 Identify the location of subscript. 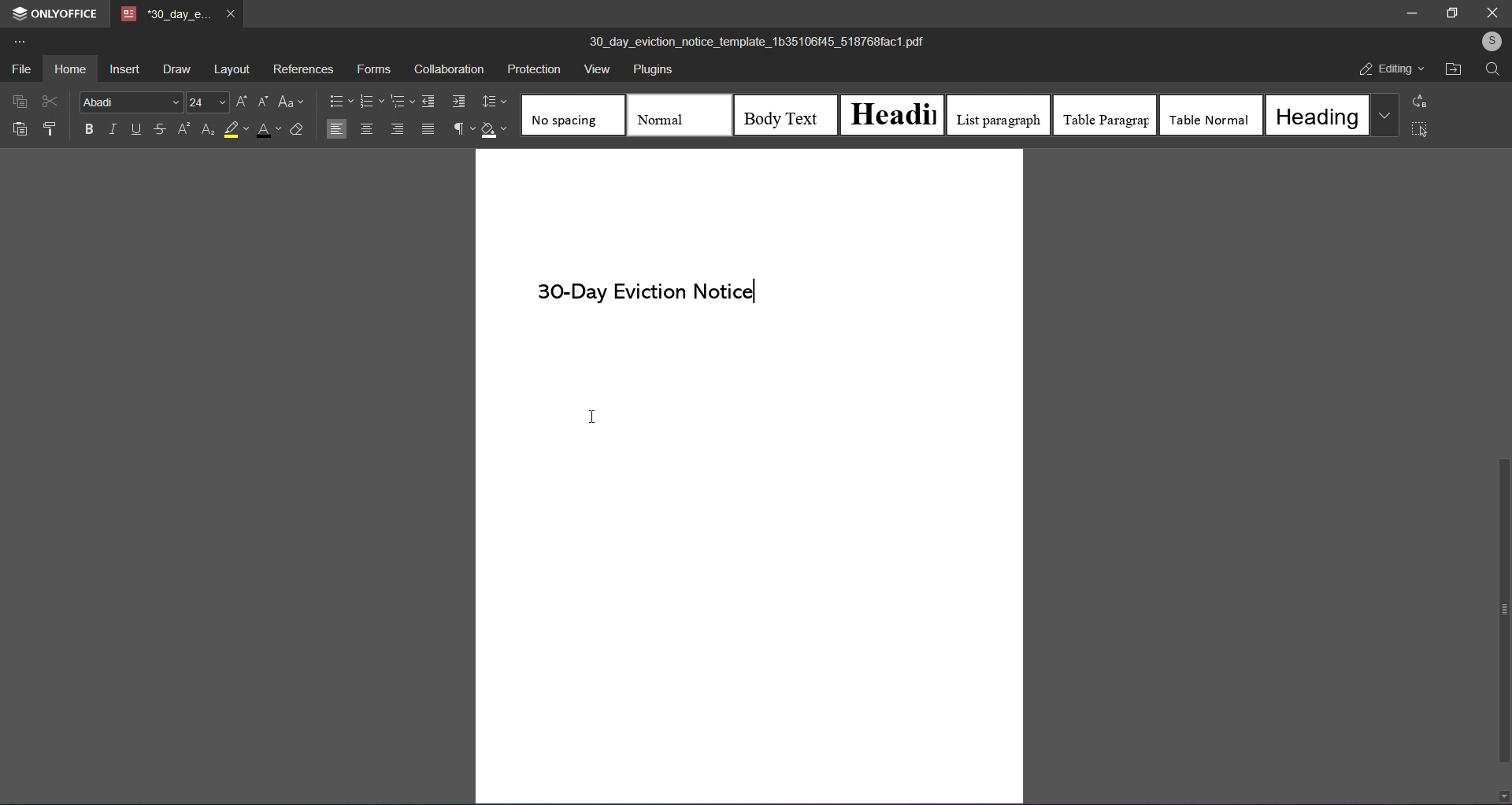
(206, 131).